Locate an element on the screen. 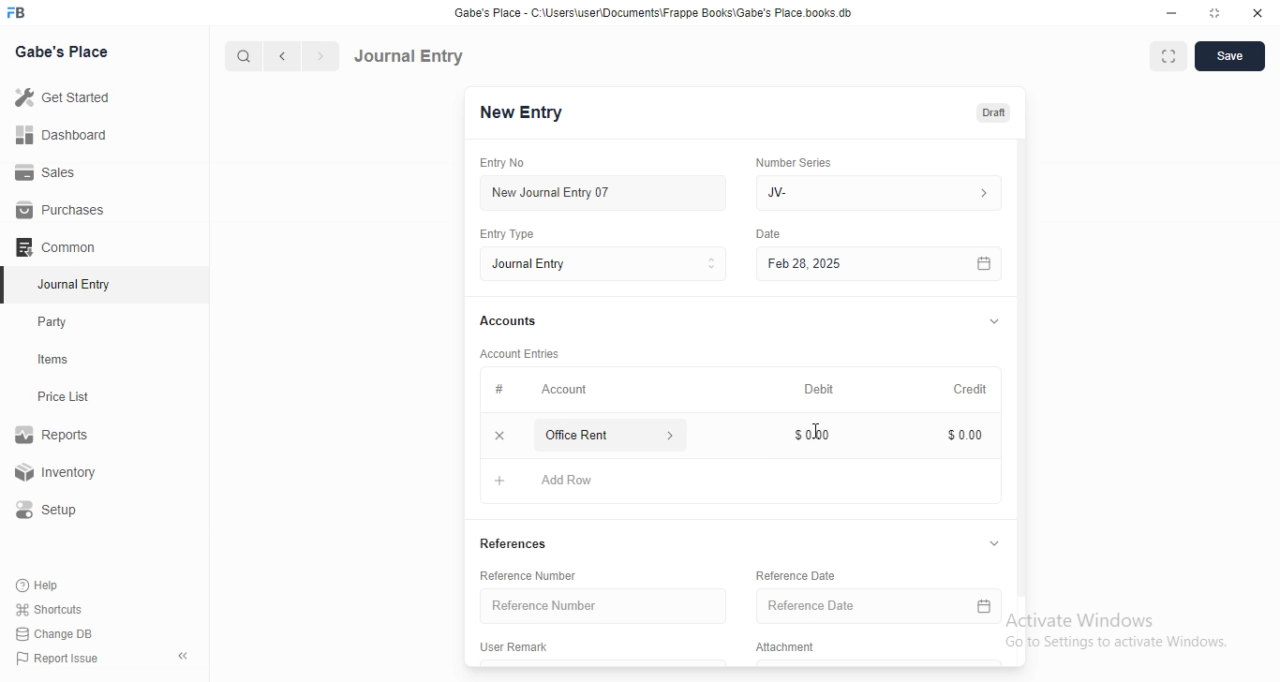 The image size is (1280, 682). ‘Reference Number is located at coordinates (529, 575).